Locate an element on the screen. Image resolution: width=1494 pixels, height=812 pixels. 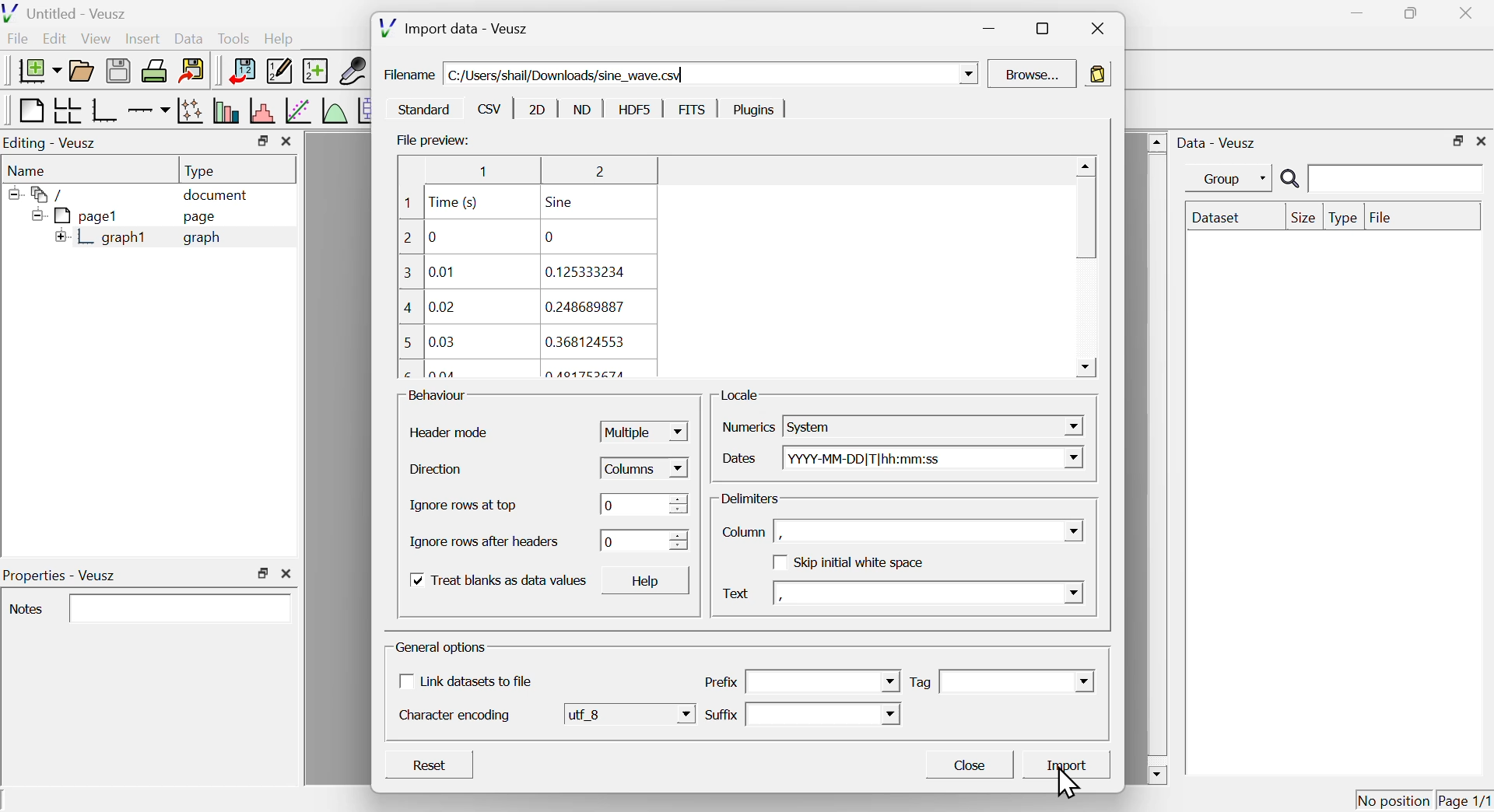
page is located at coordinates (202, 219).